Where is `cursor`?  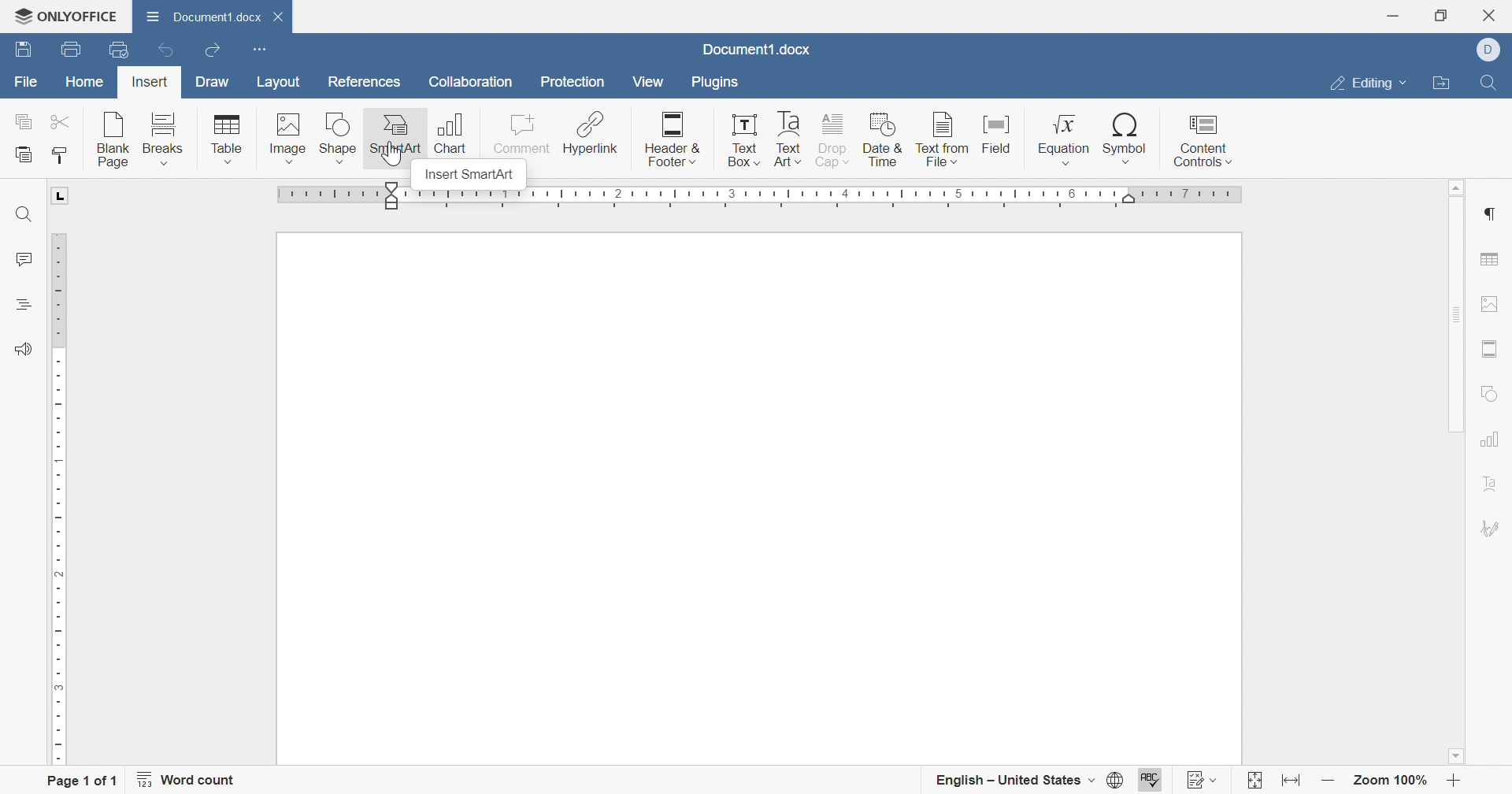
cursor is located at coordinates (405, 161).